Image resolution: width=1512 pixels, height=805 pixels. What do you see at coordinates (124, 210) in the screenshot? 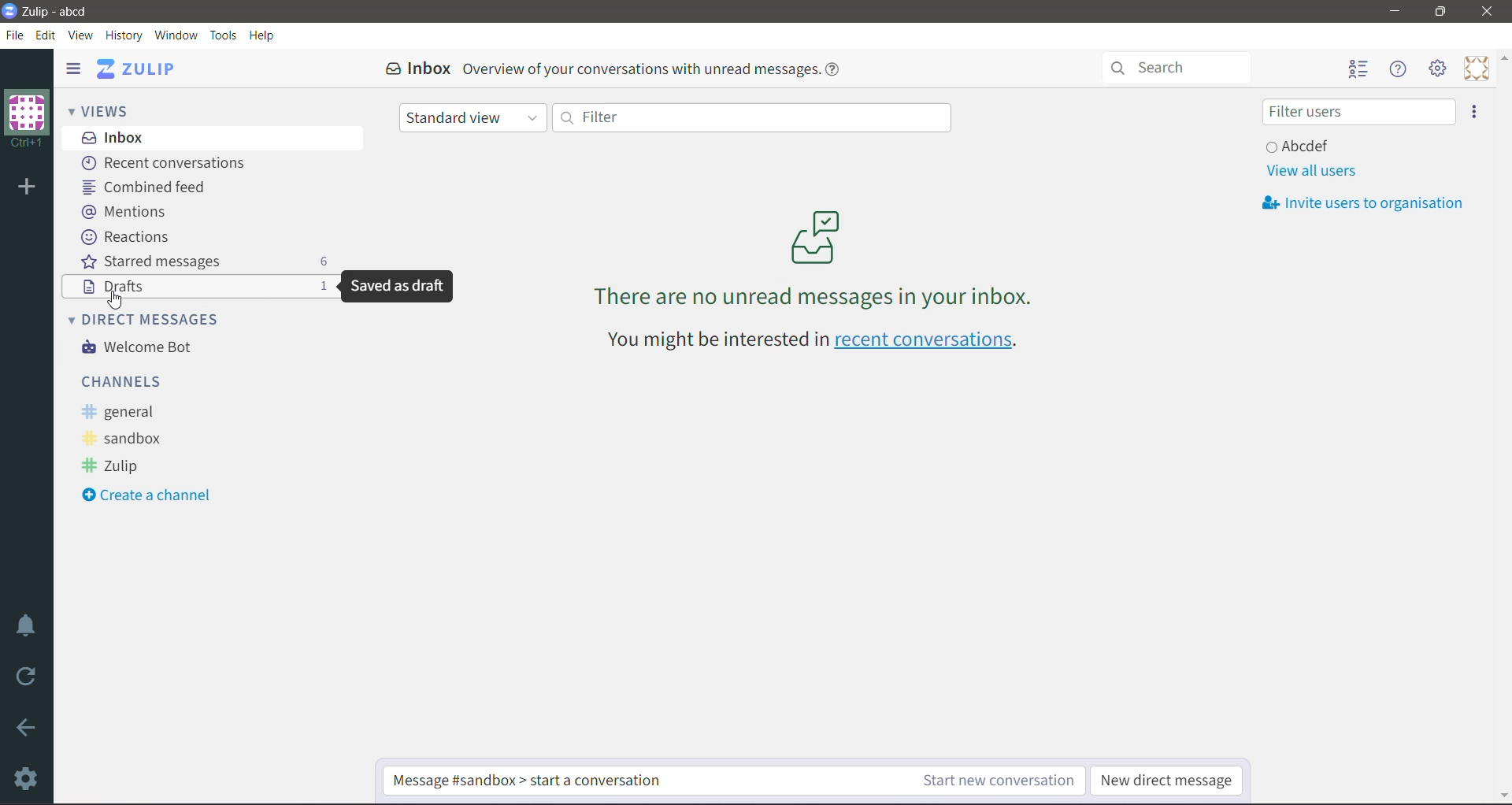
I see `Mentions` at bounding box center [124, 210].